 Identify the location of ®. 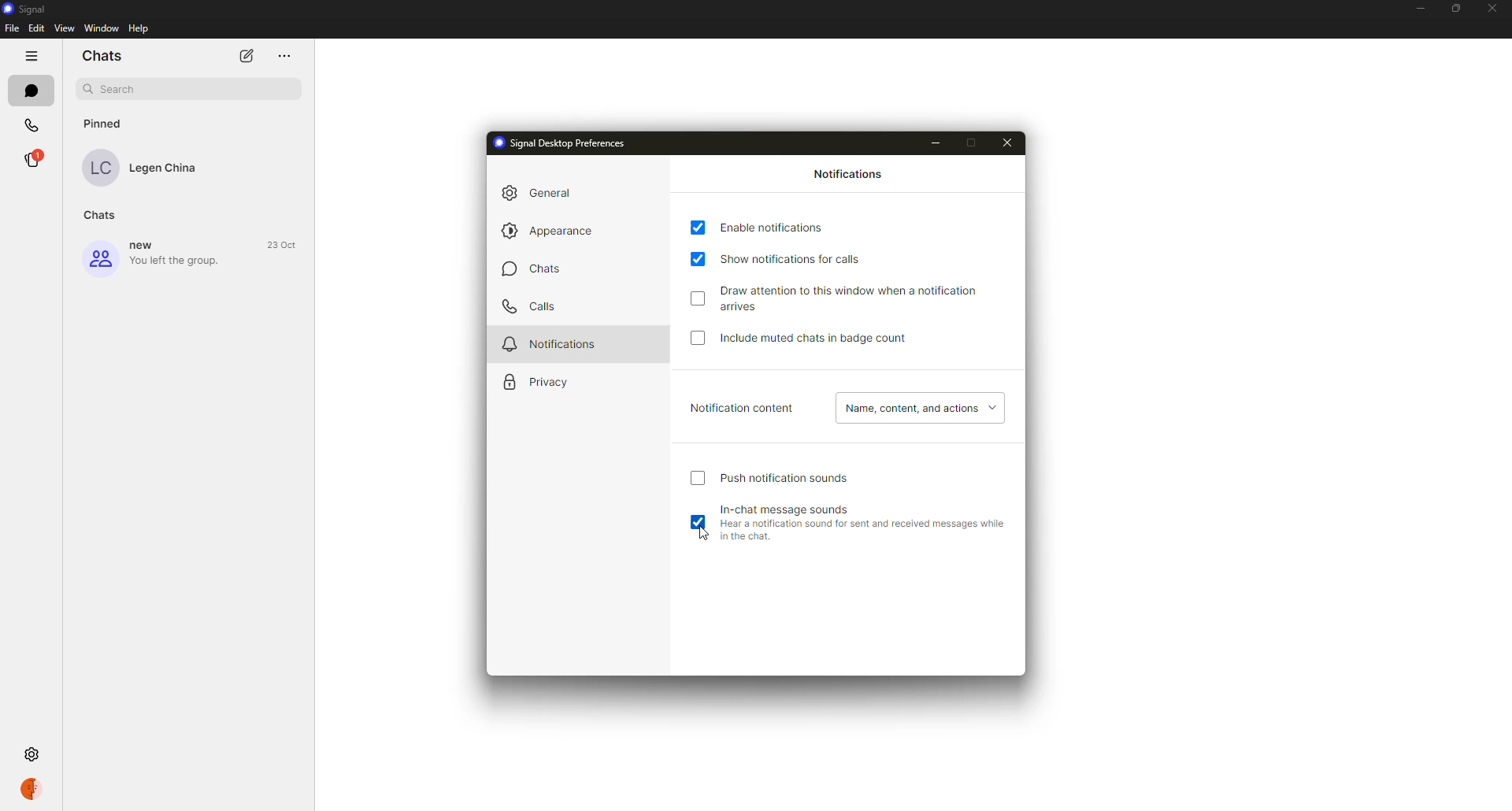
(31, 159).